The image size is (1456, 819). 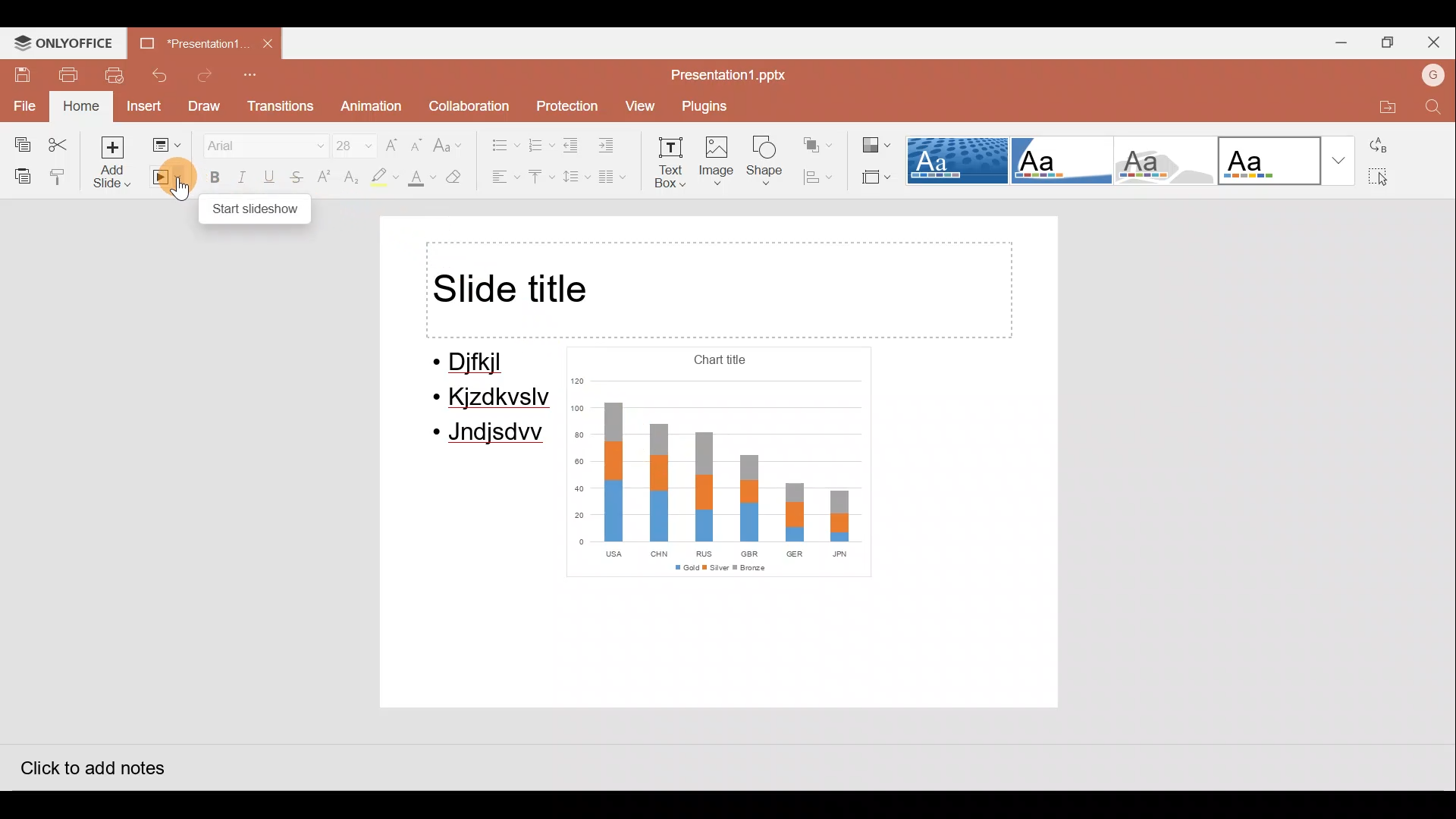 I want to click on Customize quick access toolbar, so click(x=259, y=74).